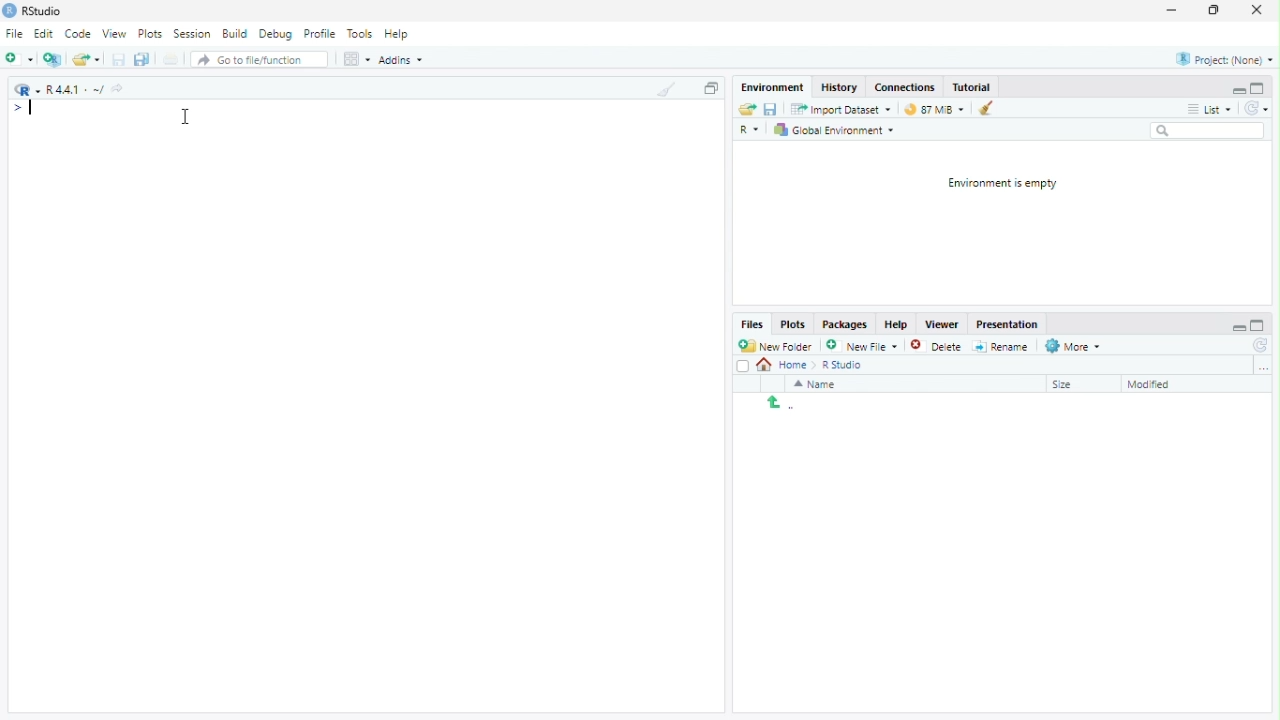 This screenshot has height=720, width=1280. Describe the element at coordinates (1259, 325) in the screenshot. I see `Maximize` at that location.